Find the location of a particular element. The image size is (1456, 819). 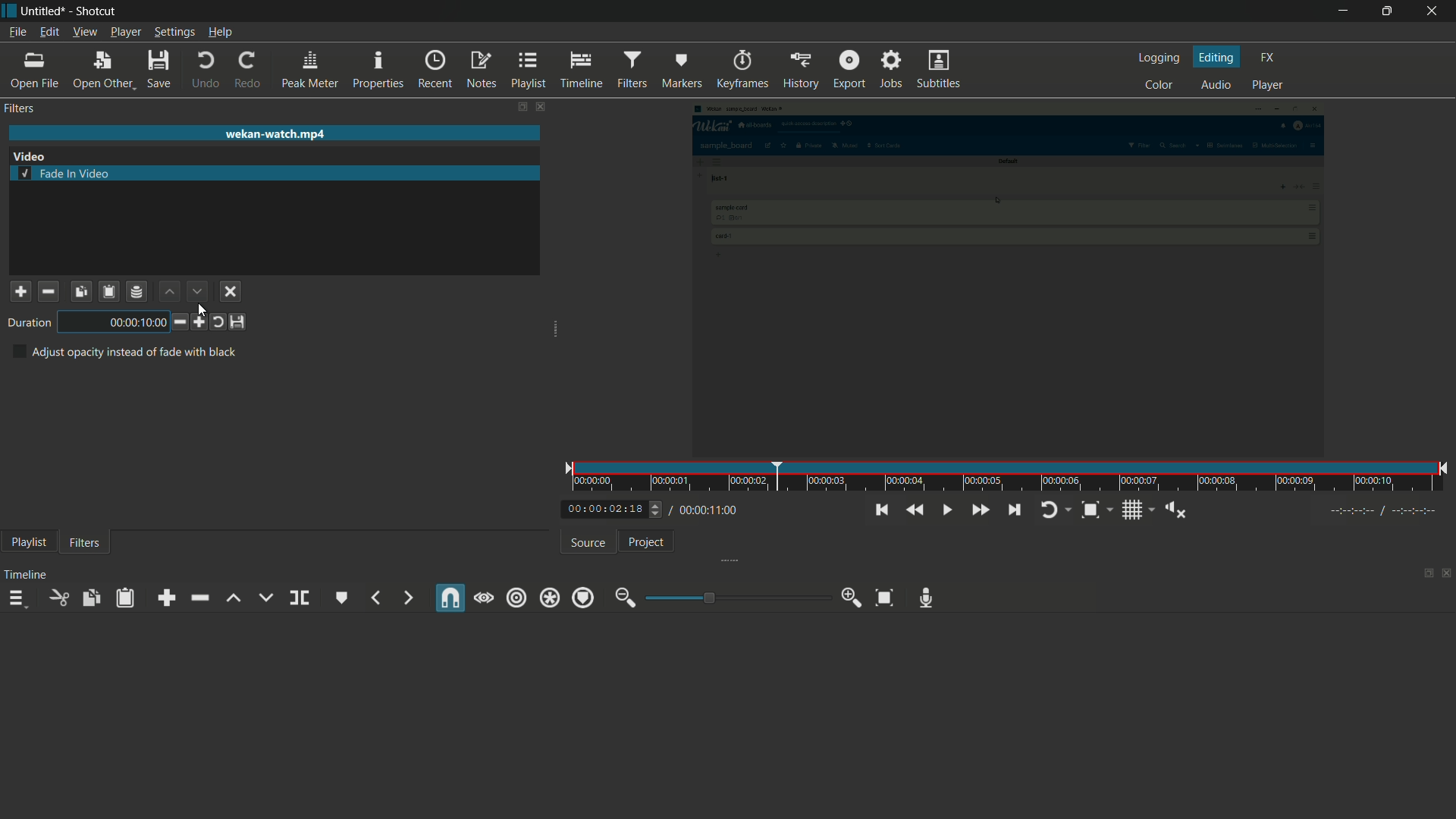

fx is located at coordinates (1269, 58).